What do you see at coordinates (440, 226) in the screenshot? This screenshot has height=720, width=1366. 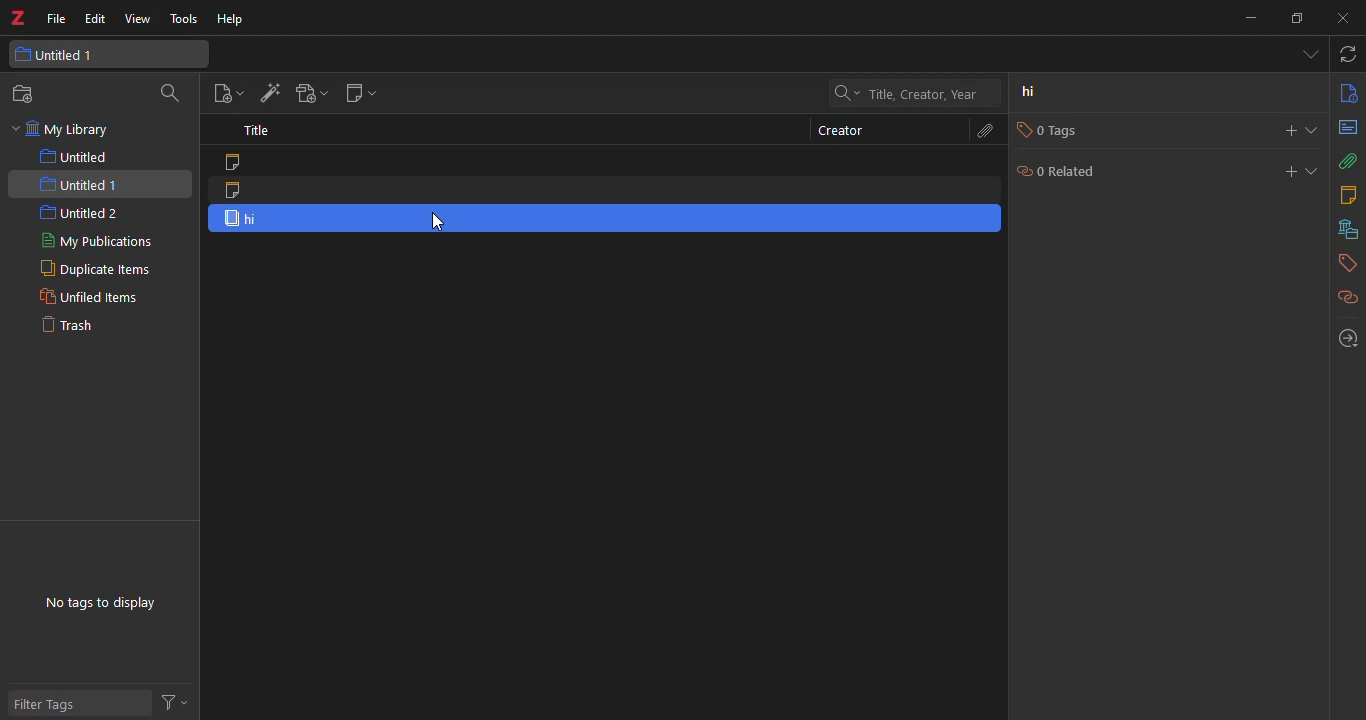 I see `cursor` at bounding box center [440, 226].